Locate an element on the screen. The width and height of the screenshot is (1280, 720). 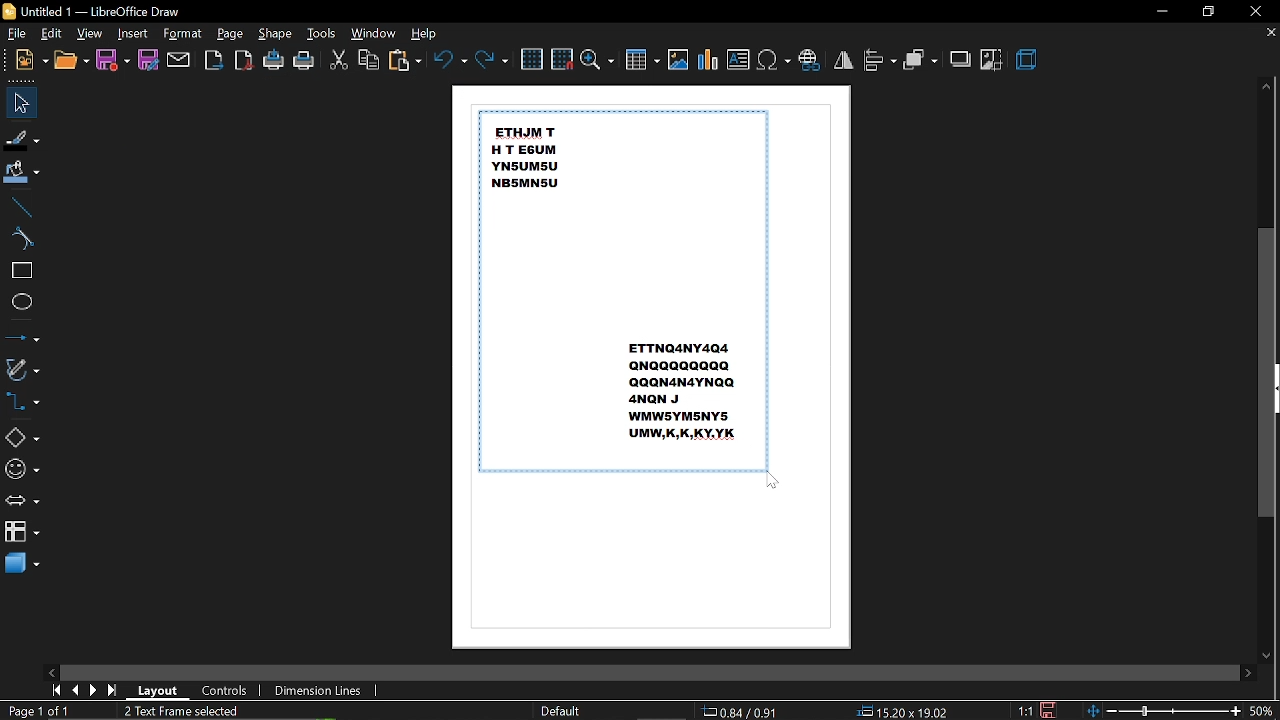
attach is located at coordinates (180, 60).